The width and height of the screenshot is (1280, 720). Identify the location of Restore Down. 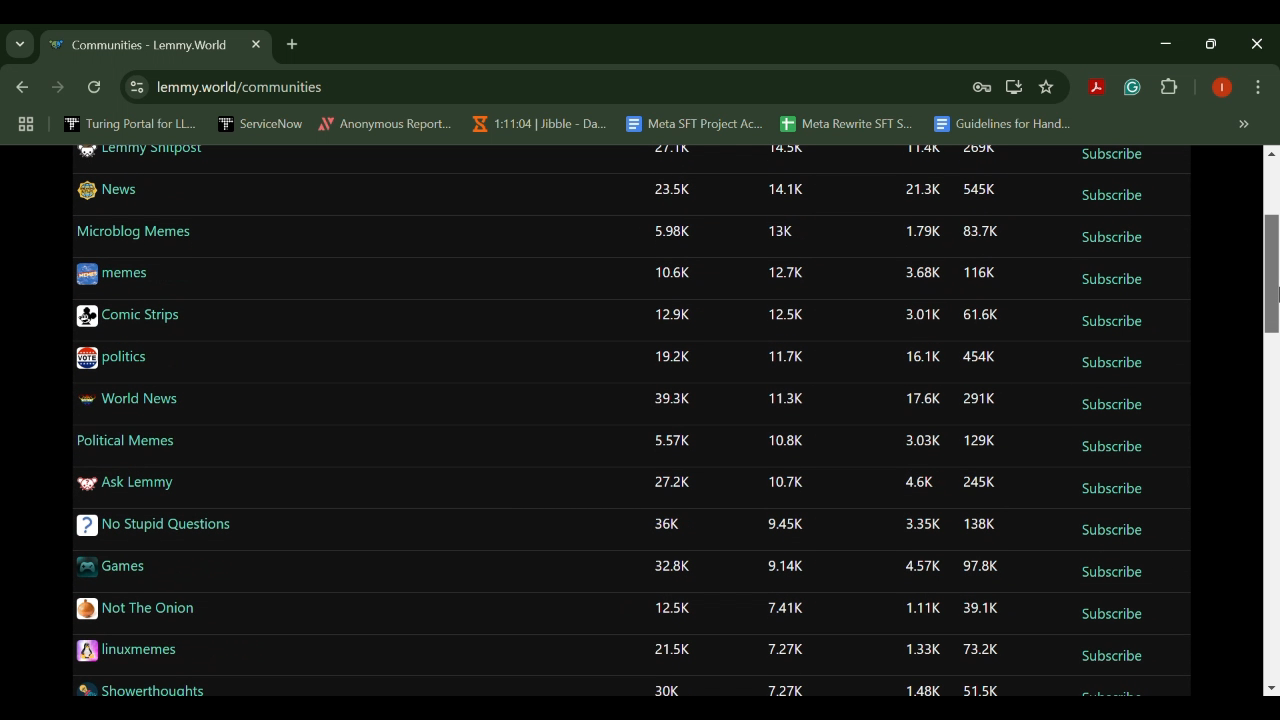
(1170, 43).